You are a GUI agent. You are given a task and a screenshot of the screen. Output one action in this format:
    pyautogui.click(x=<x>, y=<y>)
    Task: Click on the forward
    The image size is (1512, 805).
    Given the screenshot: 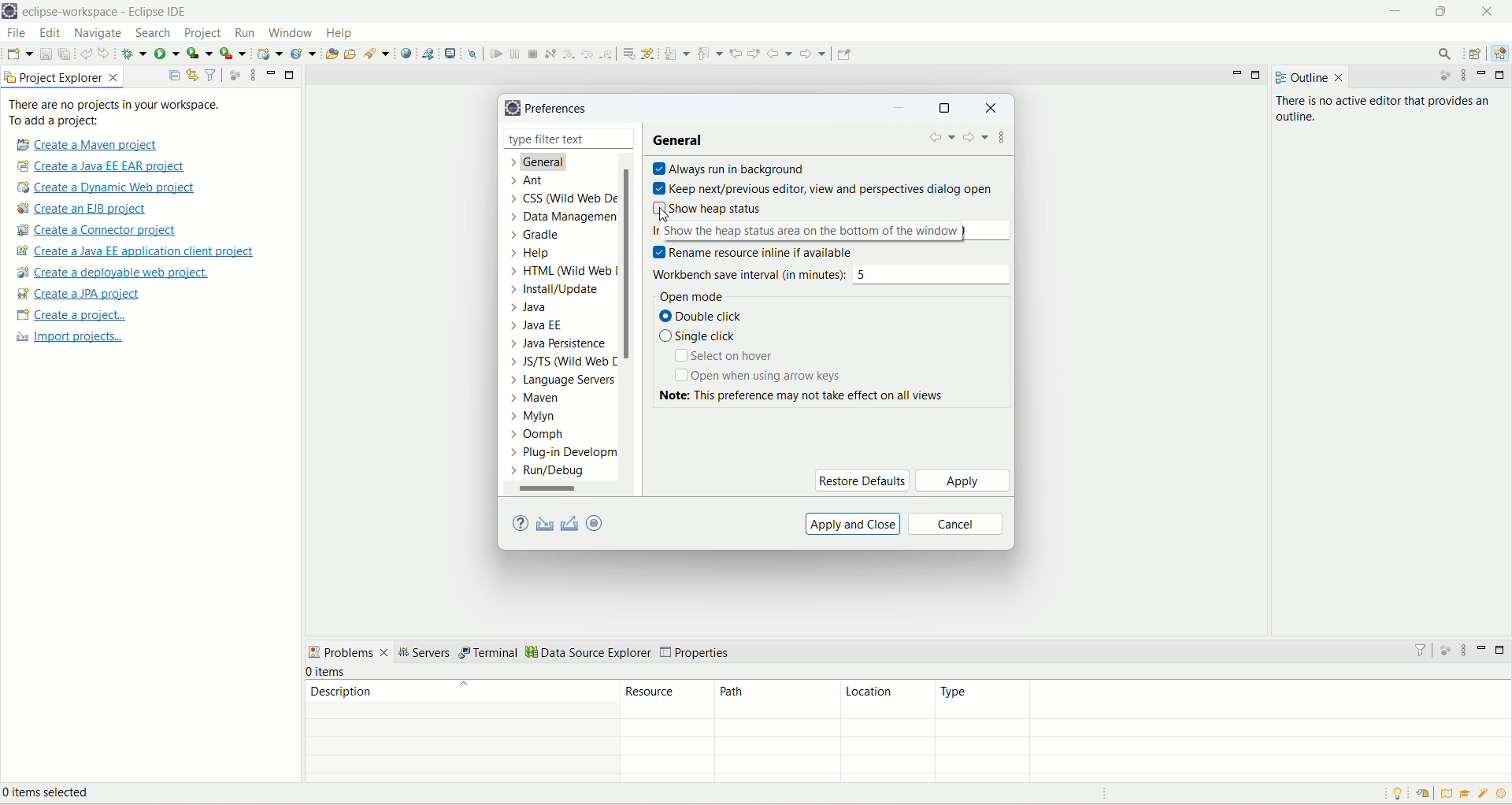 What is the action you would take?
    pyautogui.click(x=815, y=54)
    